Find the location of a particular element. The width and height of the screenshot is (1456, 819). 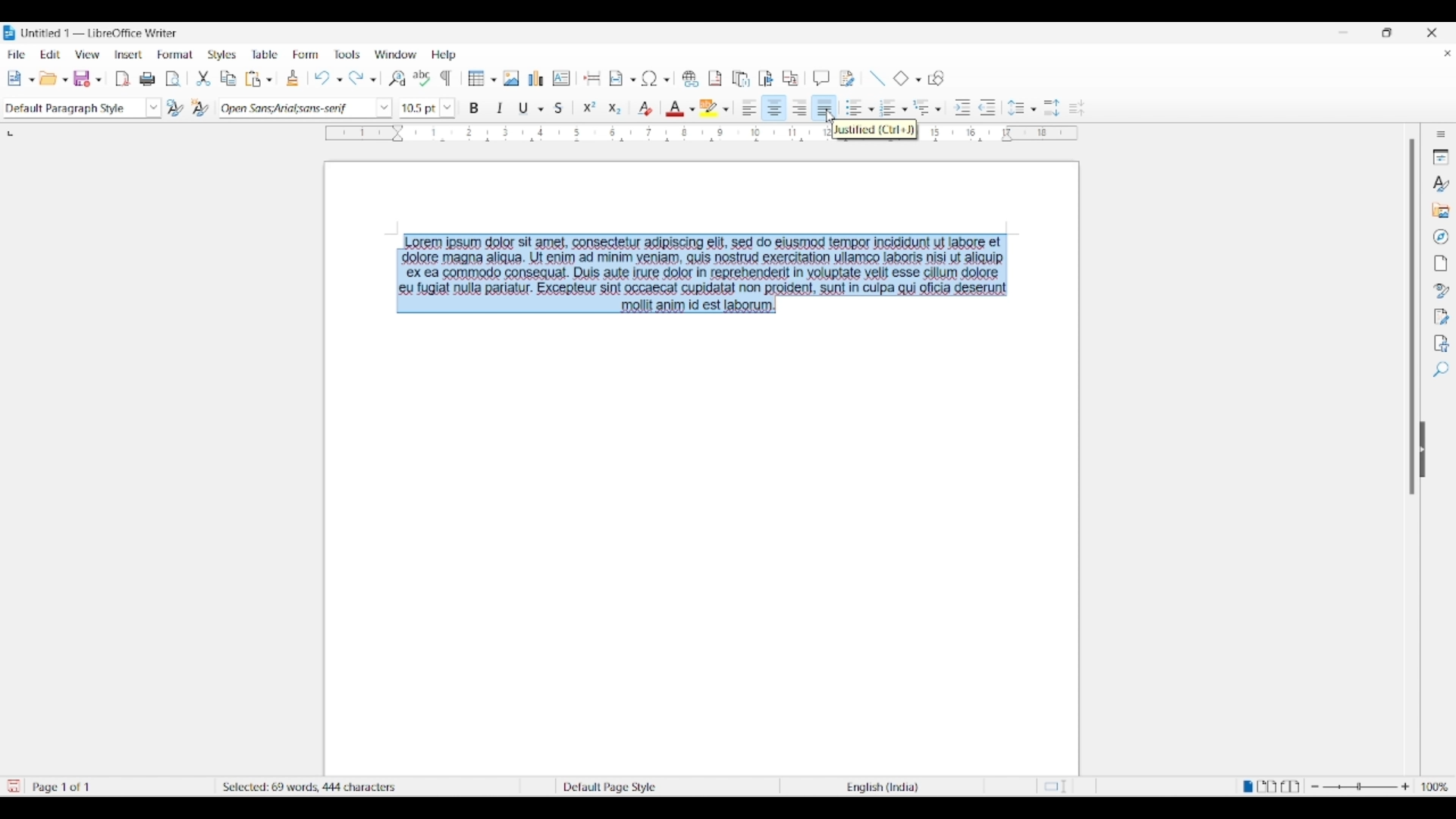

Line spacing options is located at coordinates (1034, 110).